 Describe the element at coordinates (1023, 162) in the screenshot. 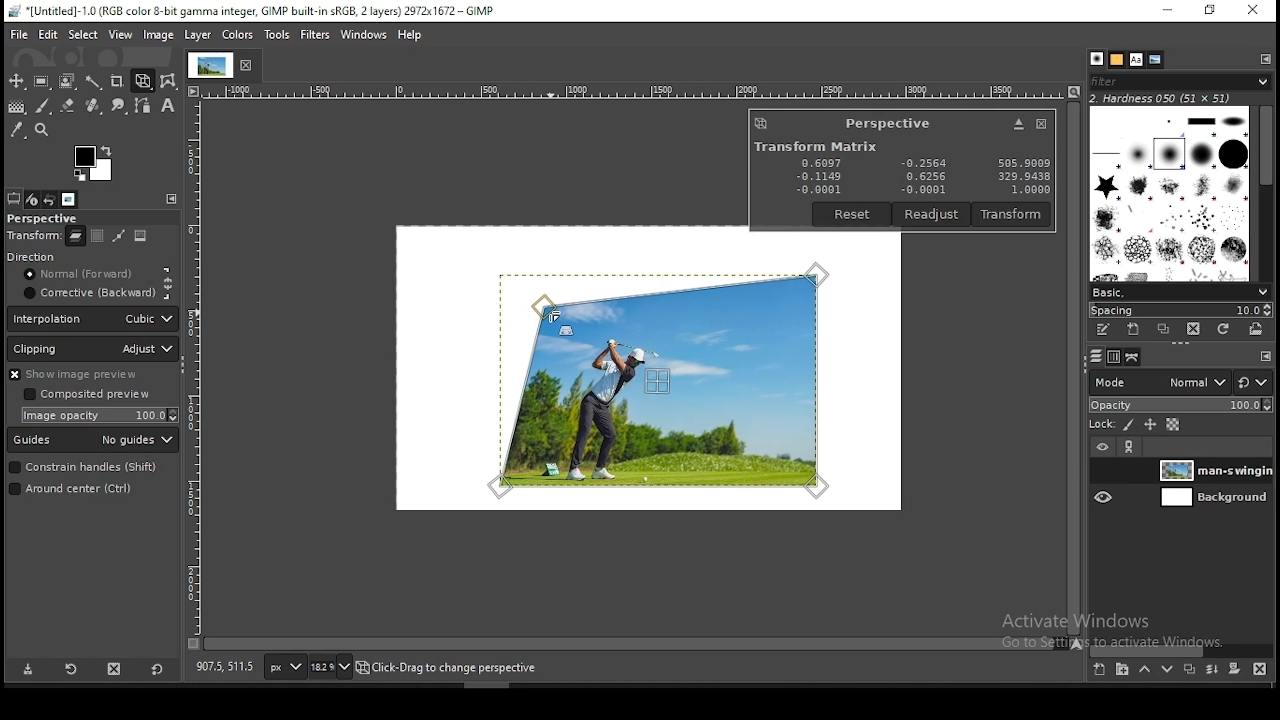

I see `505.9009` at that location.